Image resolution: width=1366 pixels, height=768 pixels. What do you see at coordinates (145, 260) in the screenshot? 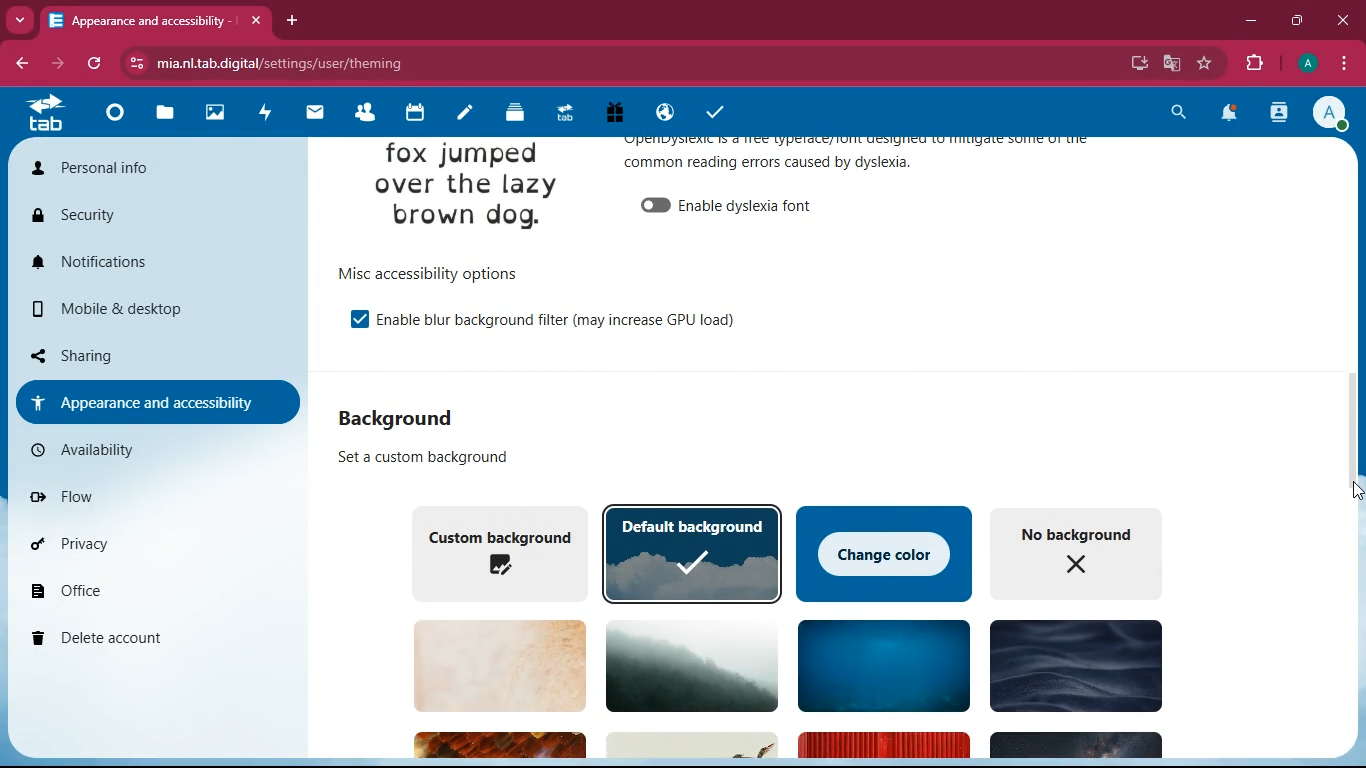
I see `notifications` at bounding box center [145, 260].